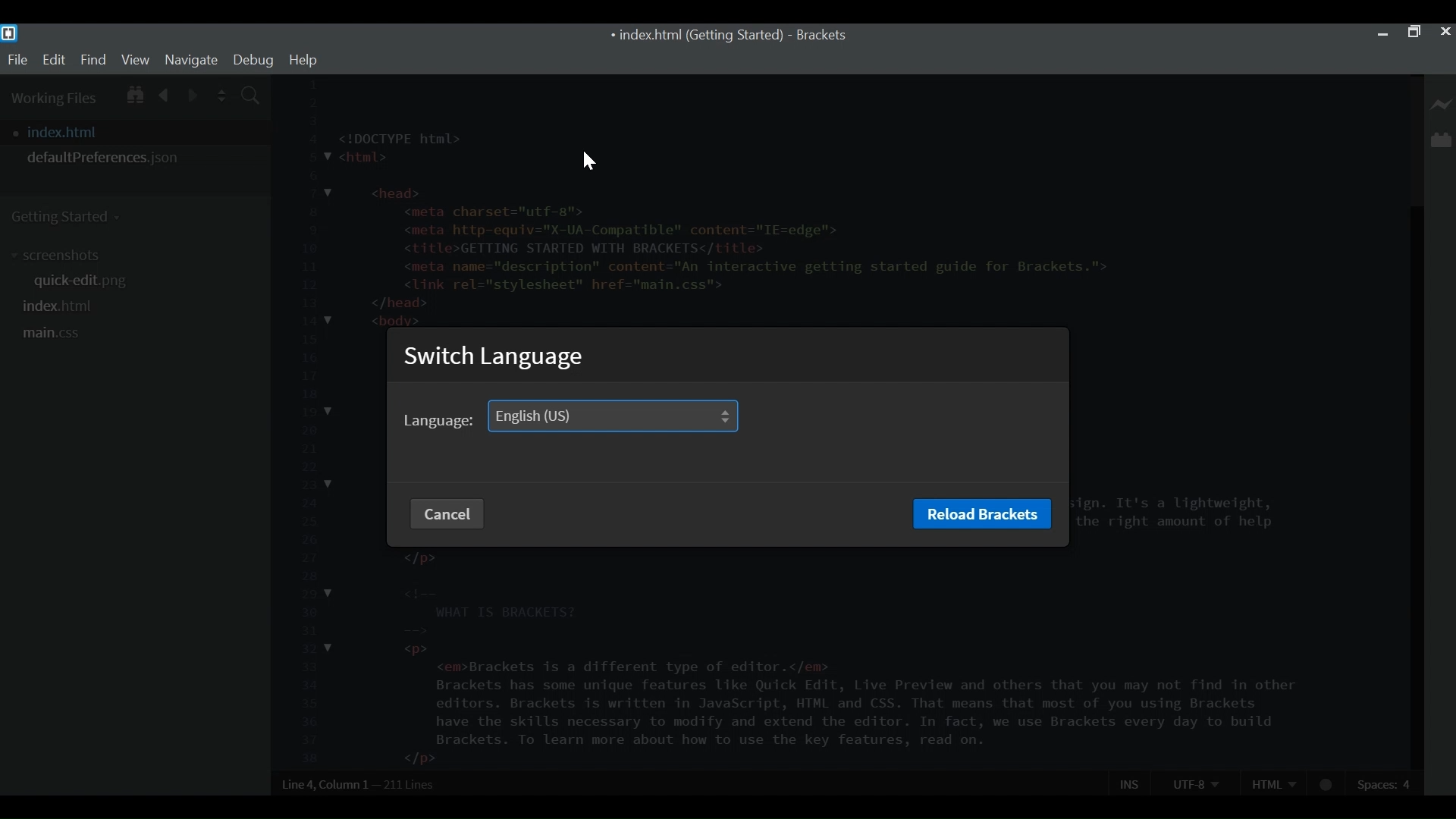  I want to click on Line 4, Column 1— 211 Lines, so click(359, 784).